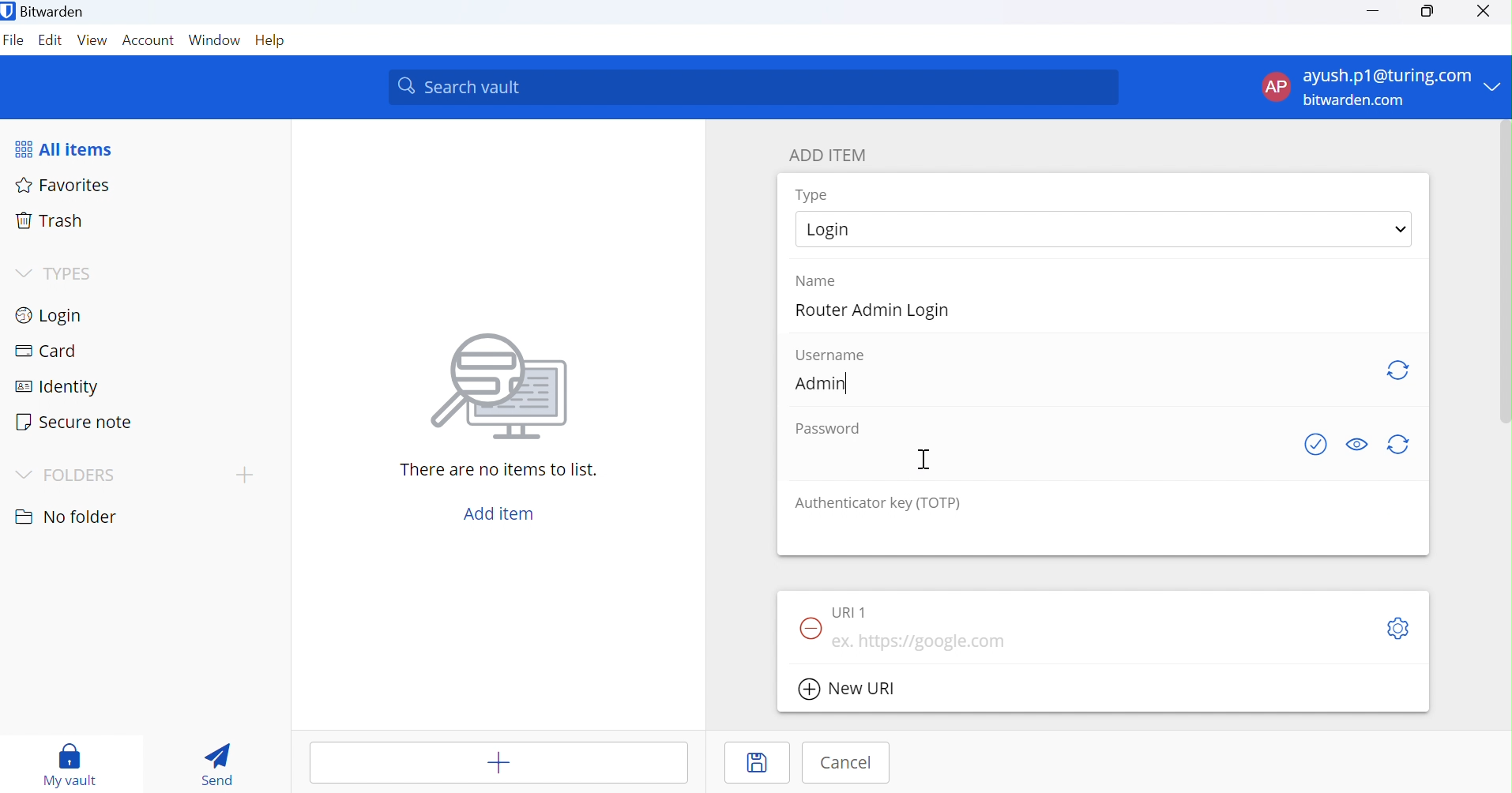  Describe the element at coordinates (215, 43) in the screenshot. I see `Windows` at that location.